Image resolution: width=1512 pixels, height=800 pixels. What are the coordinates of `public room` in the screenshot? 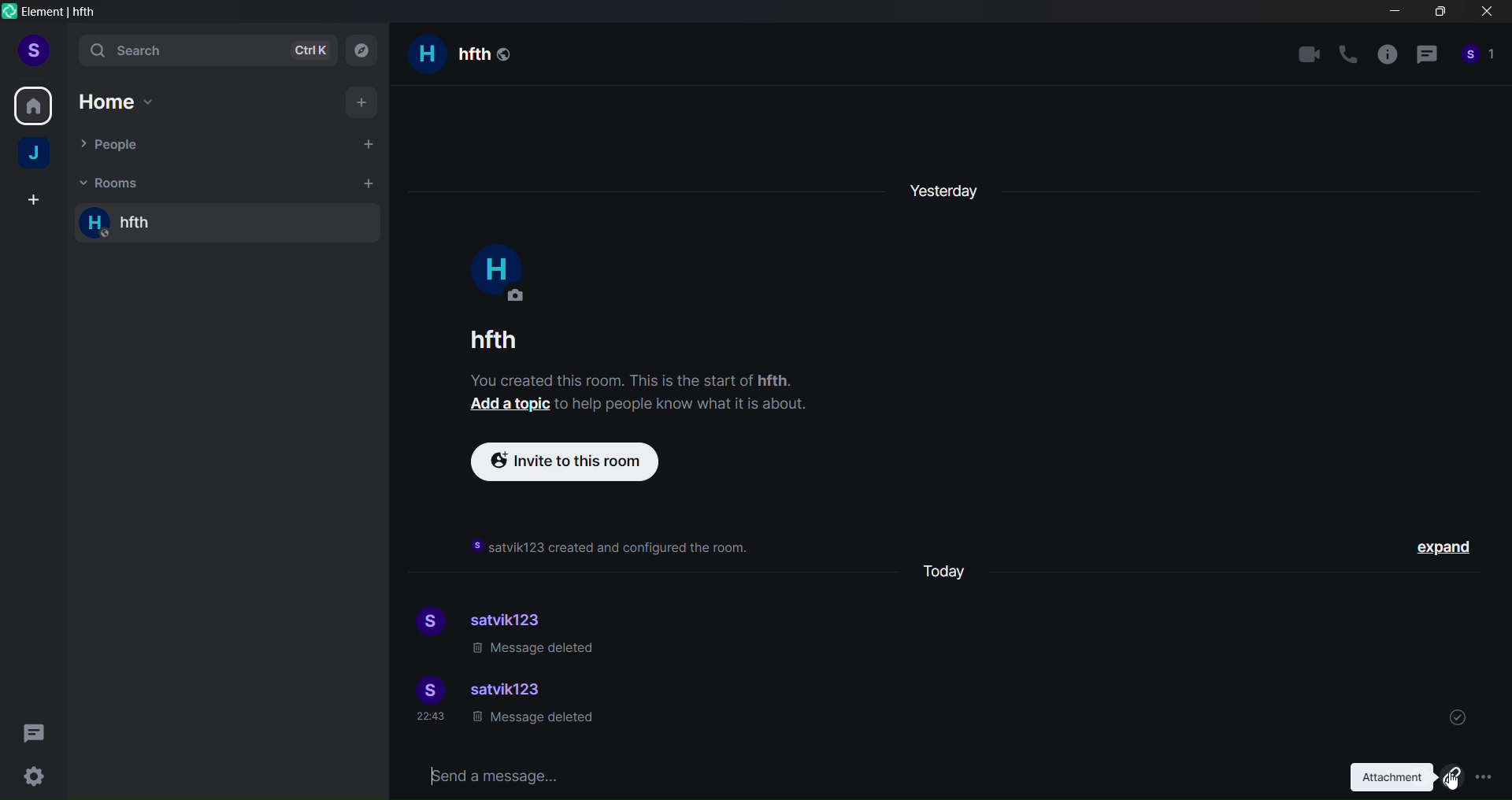 It's located at (506, 52).